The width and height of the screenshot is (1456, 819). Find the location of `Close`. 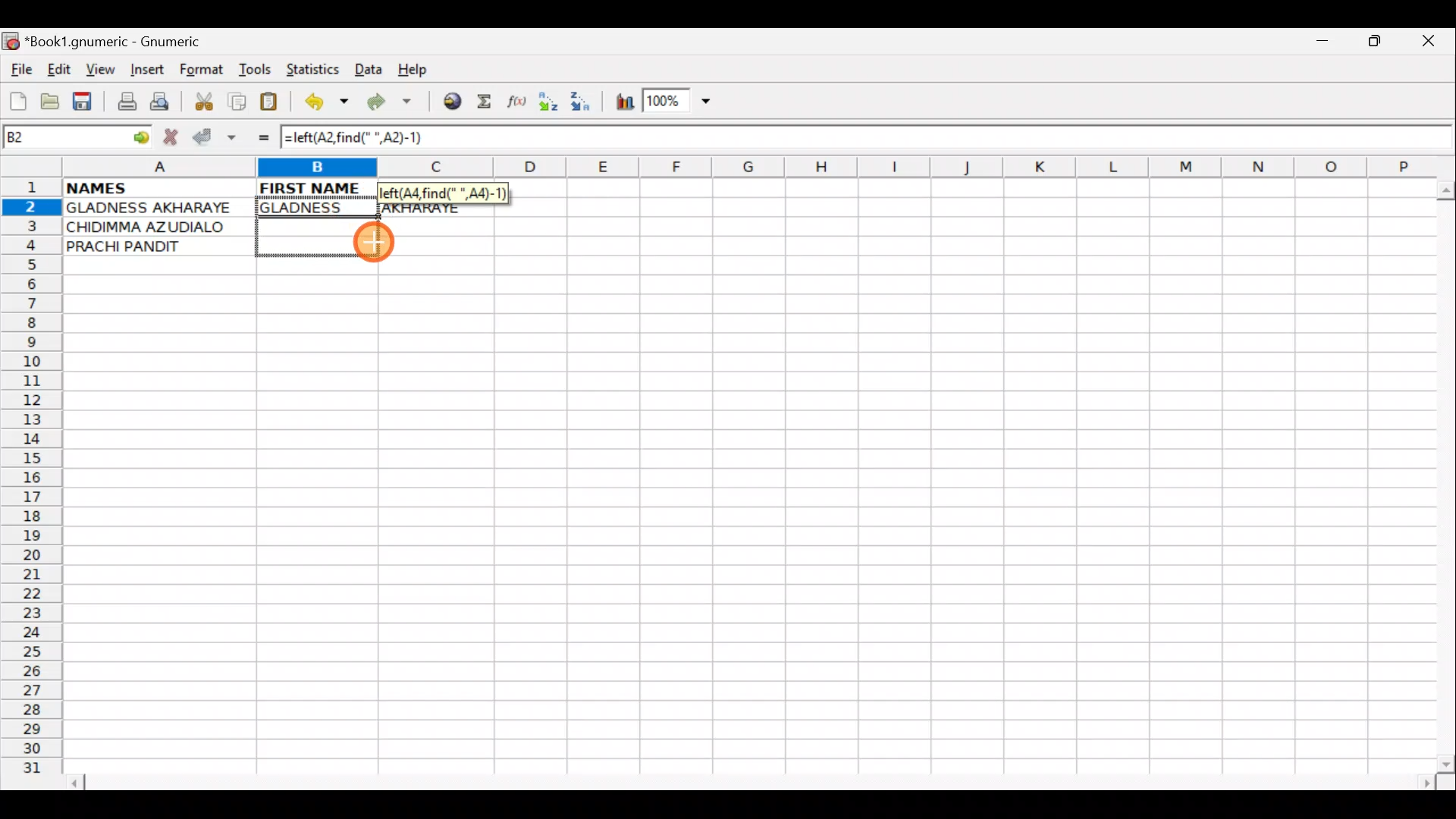

Close is located at coordinates (1432, 45).